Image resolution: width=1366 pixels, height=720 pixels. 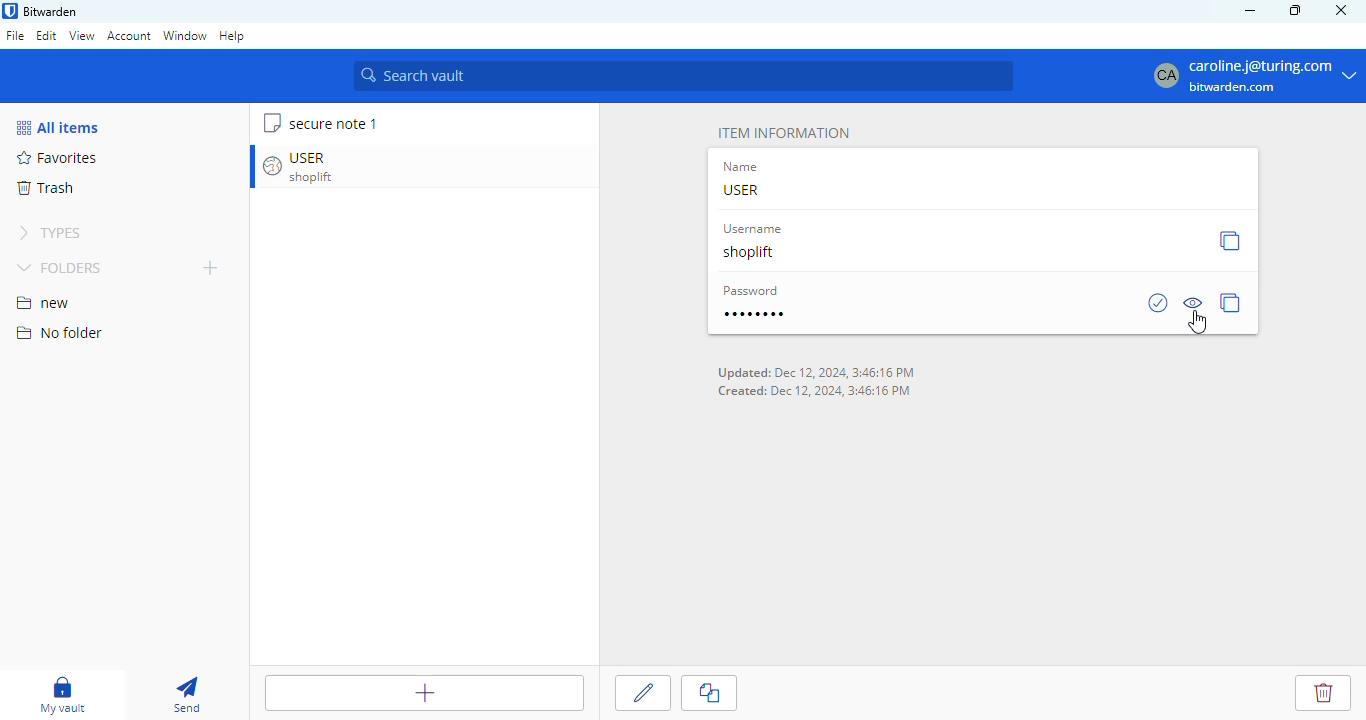 I want to click on account, so click(x=129, y=35).